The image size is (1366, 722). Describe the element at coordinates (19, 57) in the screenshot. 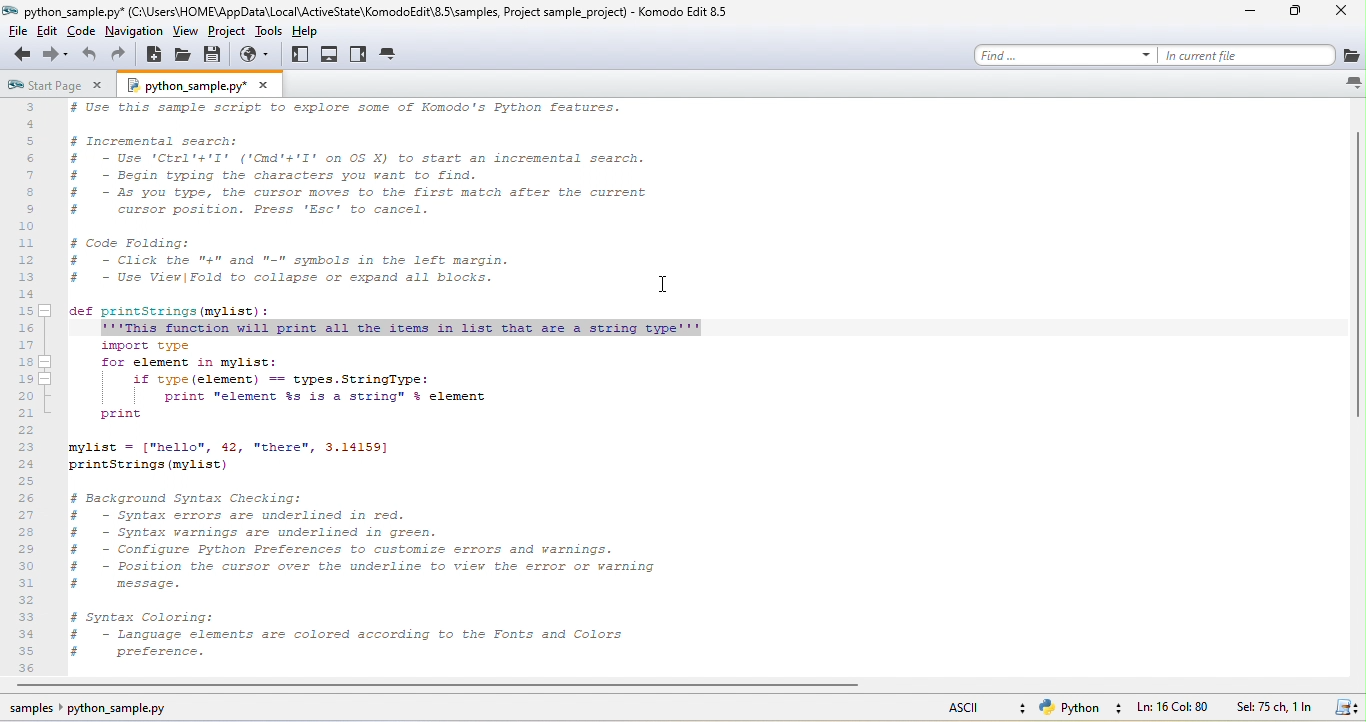

I see `back` at that location.